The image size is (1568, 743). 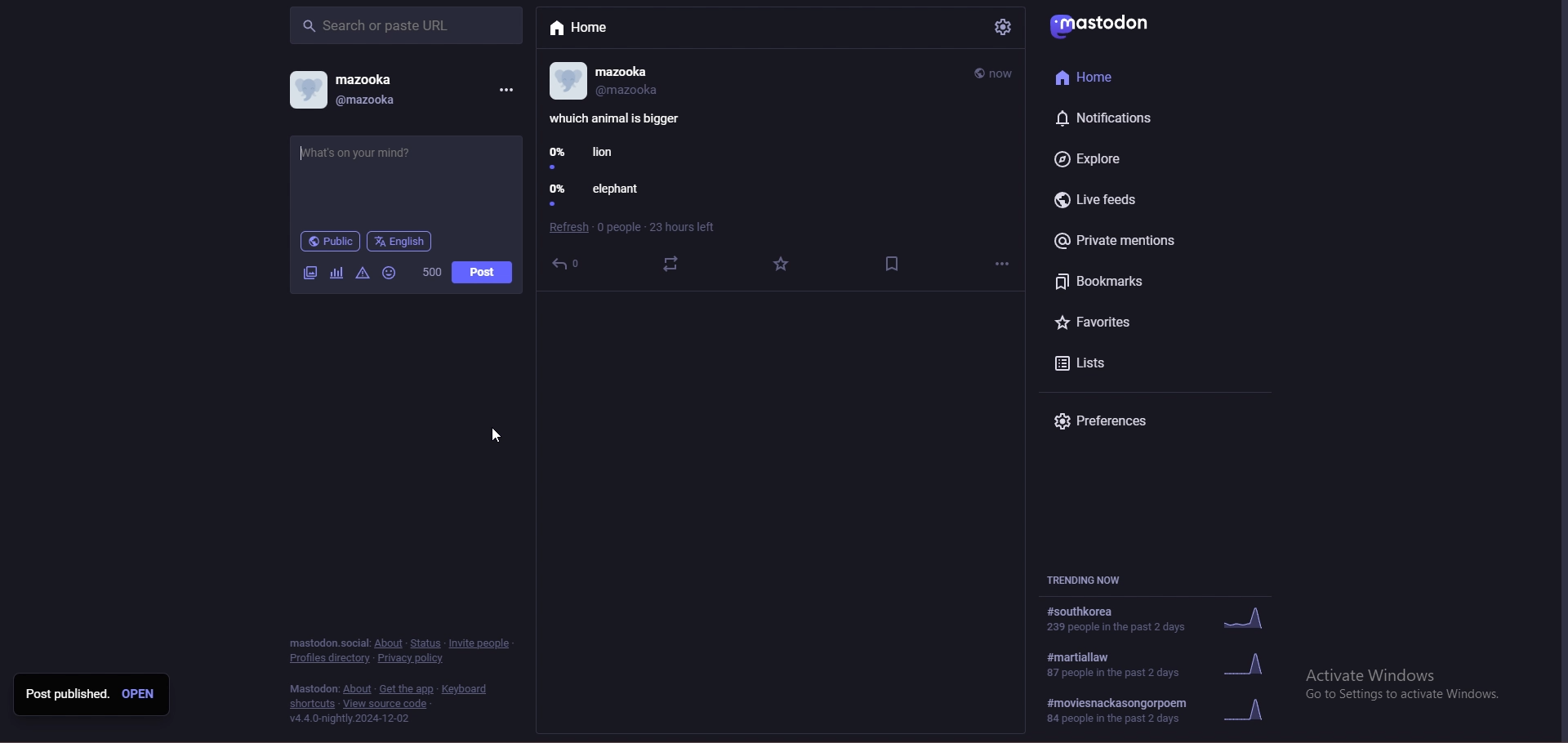 I want to click on polls, so click(x=337, y=273).